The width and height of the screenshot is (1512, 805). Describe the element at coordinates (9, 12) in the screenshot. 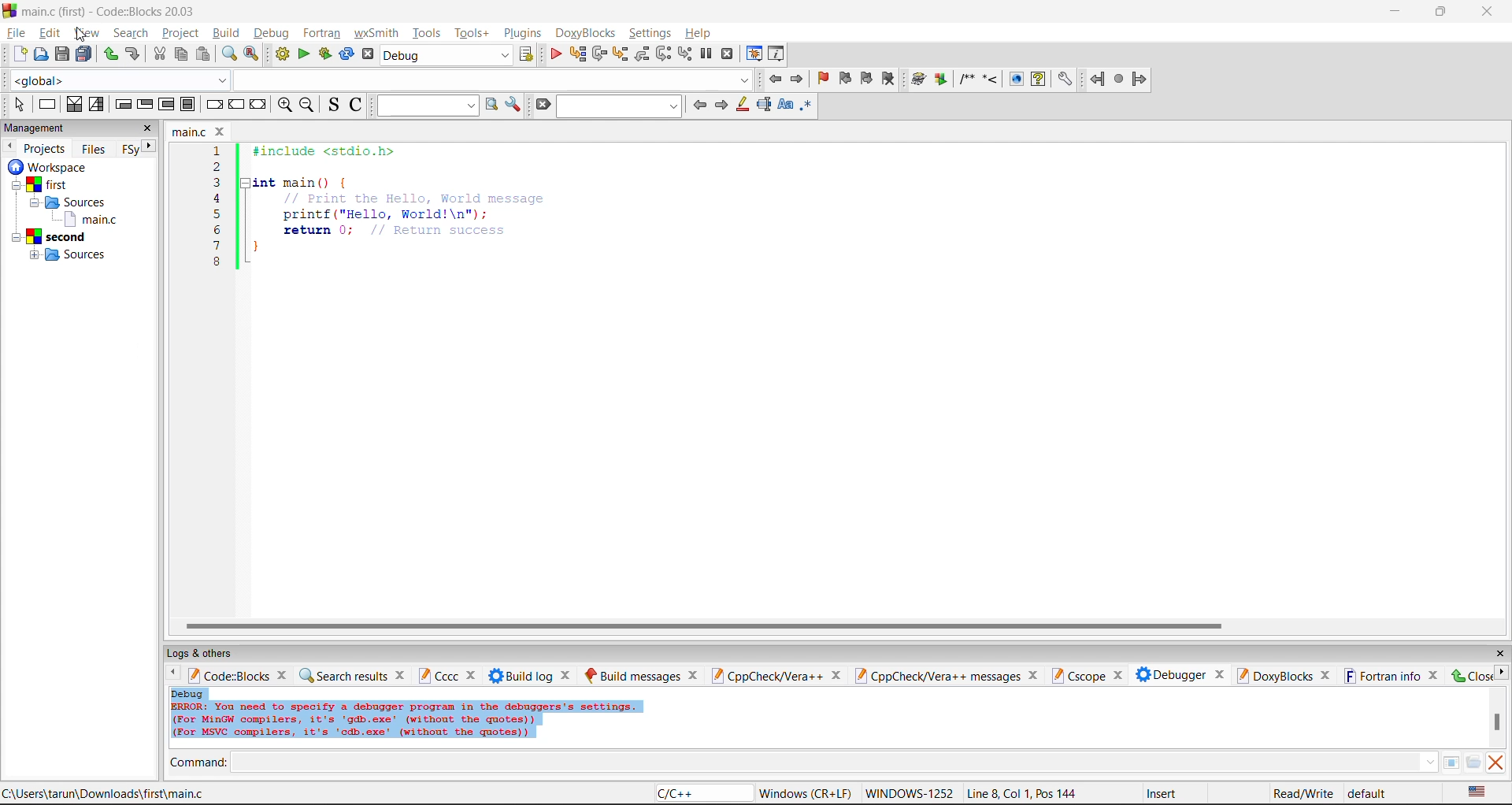

I see `Code:Blocks logo` at that location.